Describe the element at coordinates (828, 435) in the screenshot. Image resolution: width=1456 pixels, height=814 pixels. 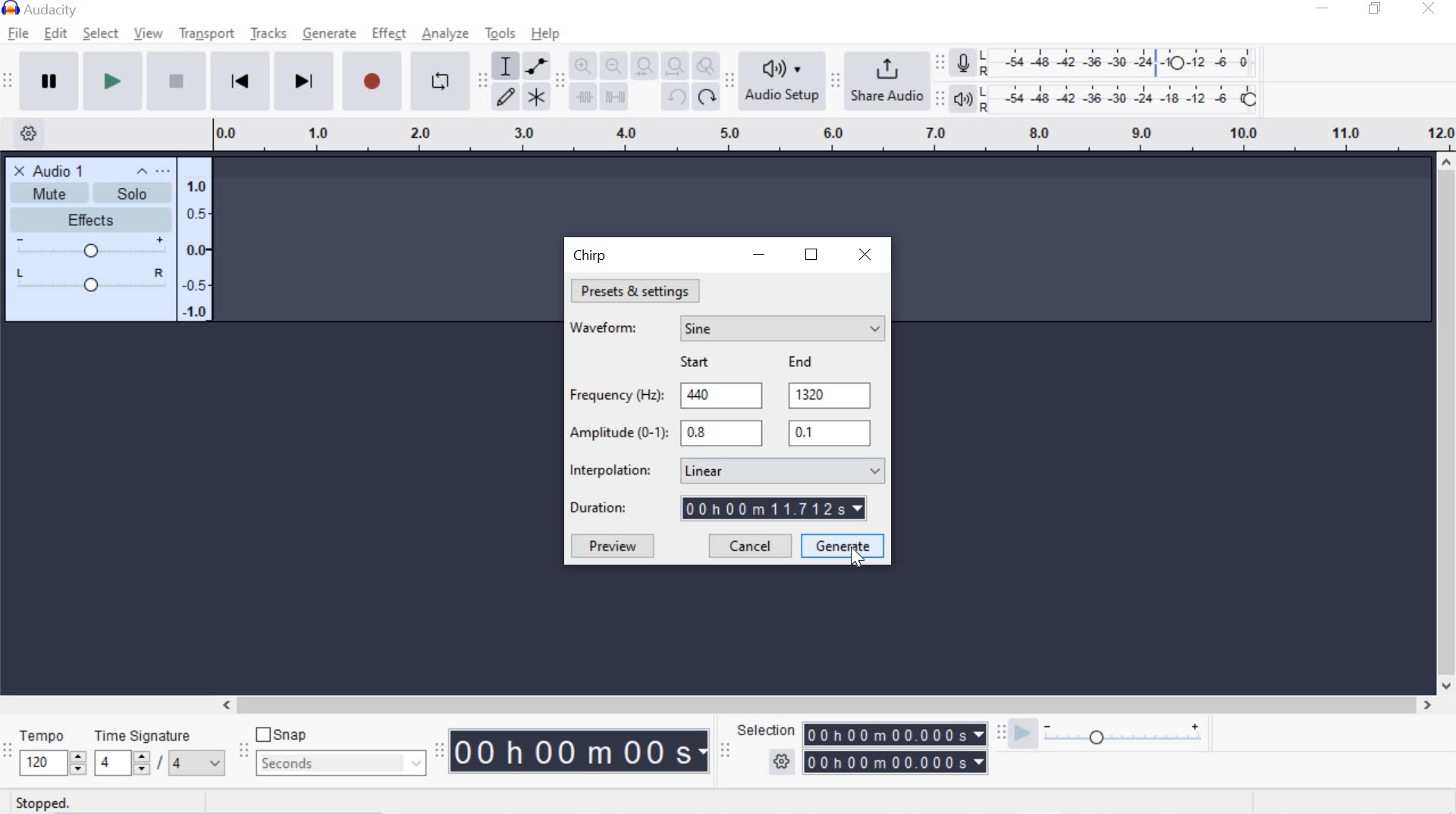
I see `Amplitude field` at that location.